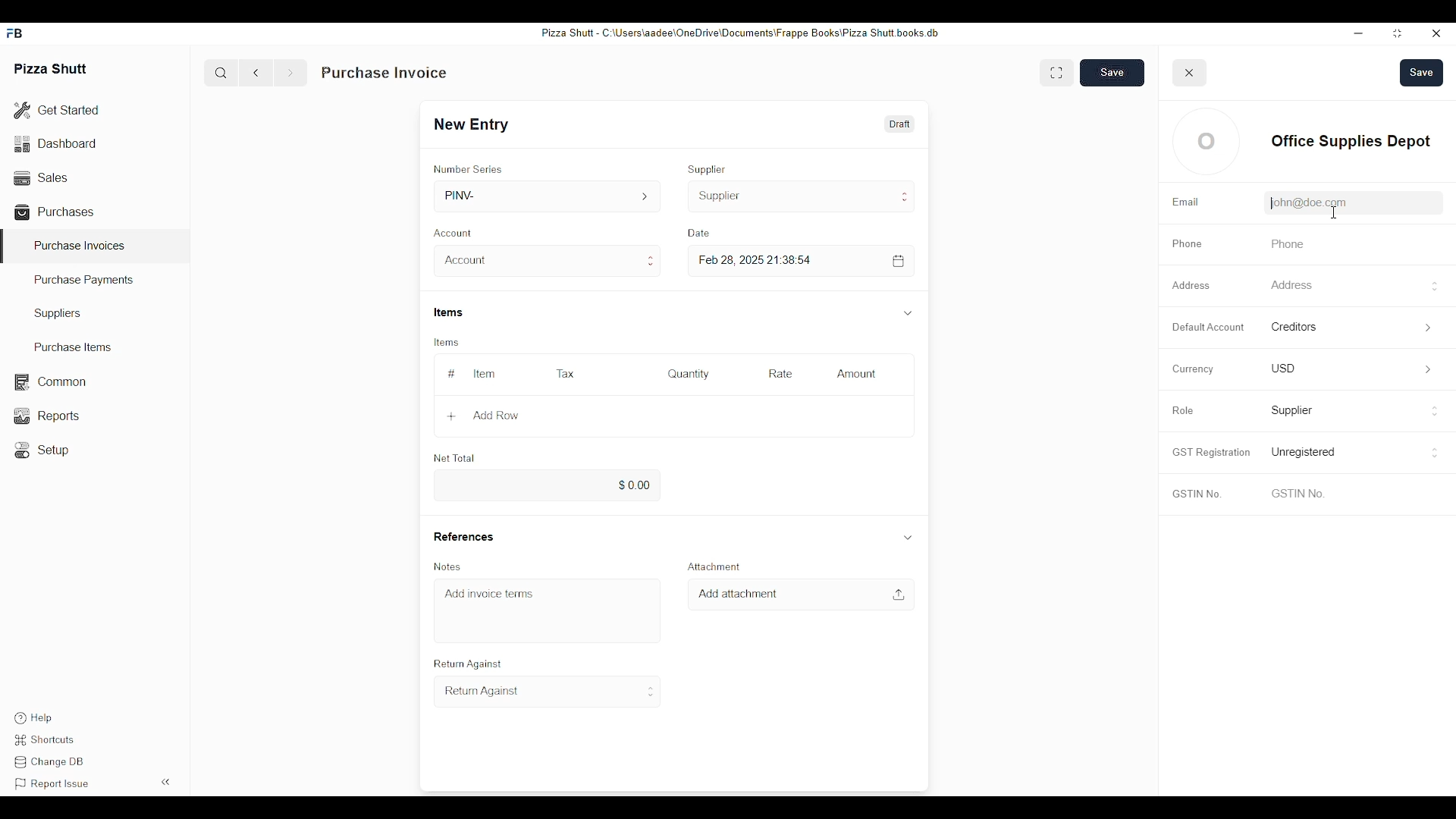 The width and height of the screenshot is (1456, 819). What do you see at coordinates (1350, 140) in the screenshot?
I see `Office Supplies Depot` at bounding box center [1350, 140].